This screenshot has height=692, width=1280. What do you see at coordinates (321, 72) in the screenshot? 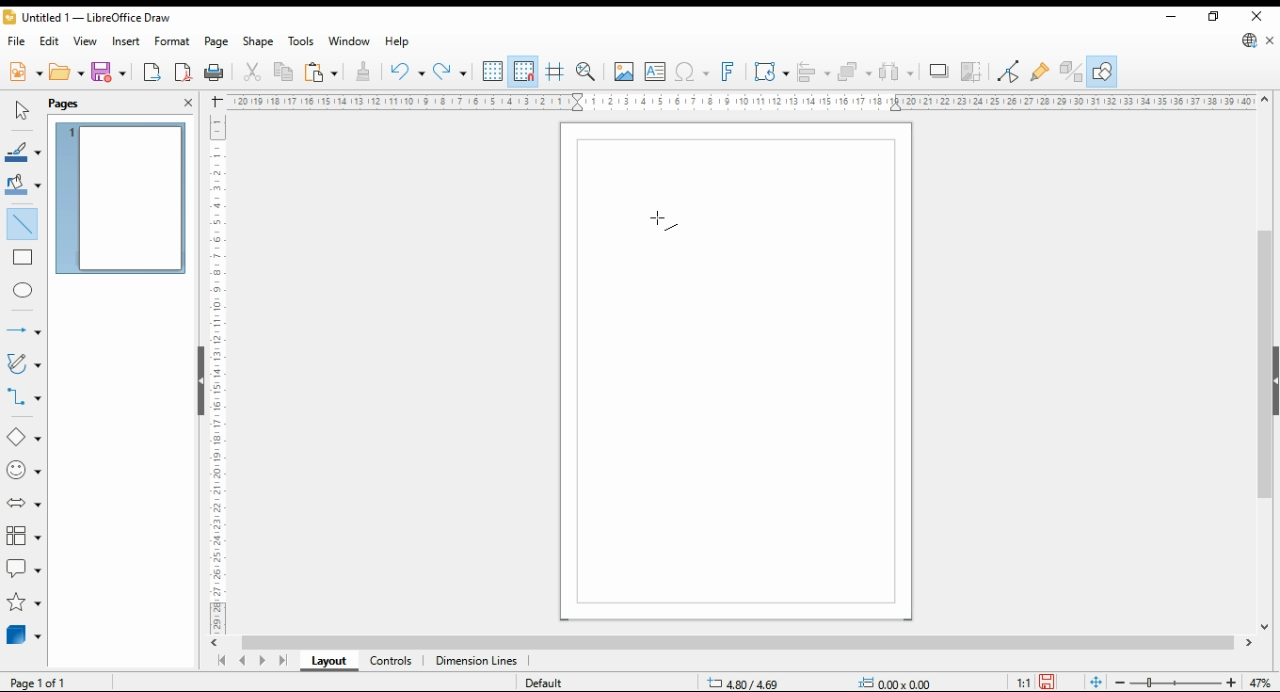
I see `paste` at bounding box center [321, 72].